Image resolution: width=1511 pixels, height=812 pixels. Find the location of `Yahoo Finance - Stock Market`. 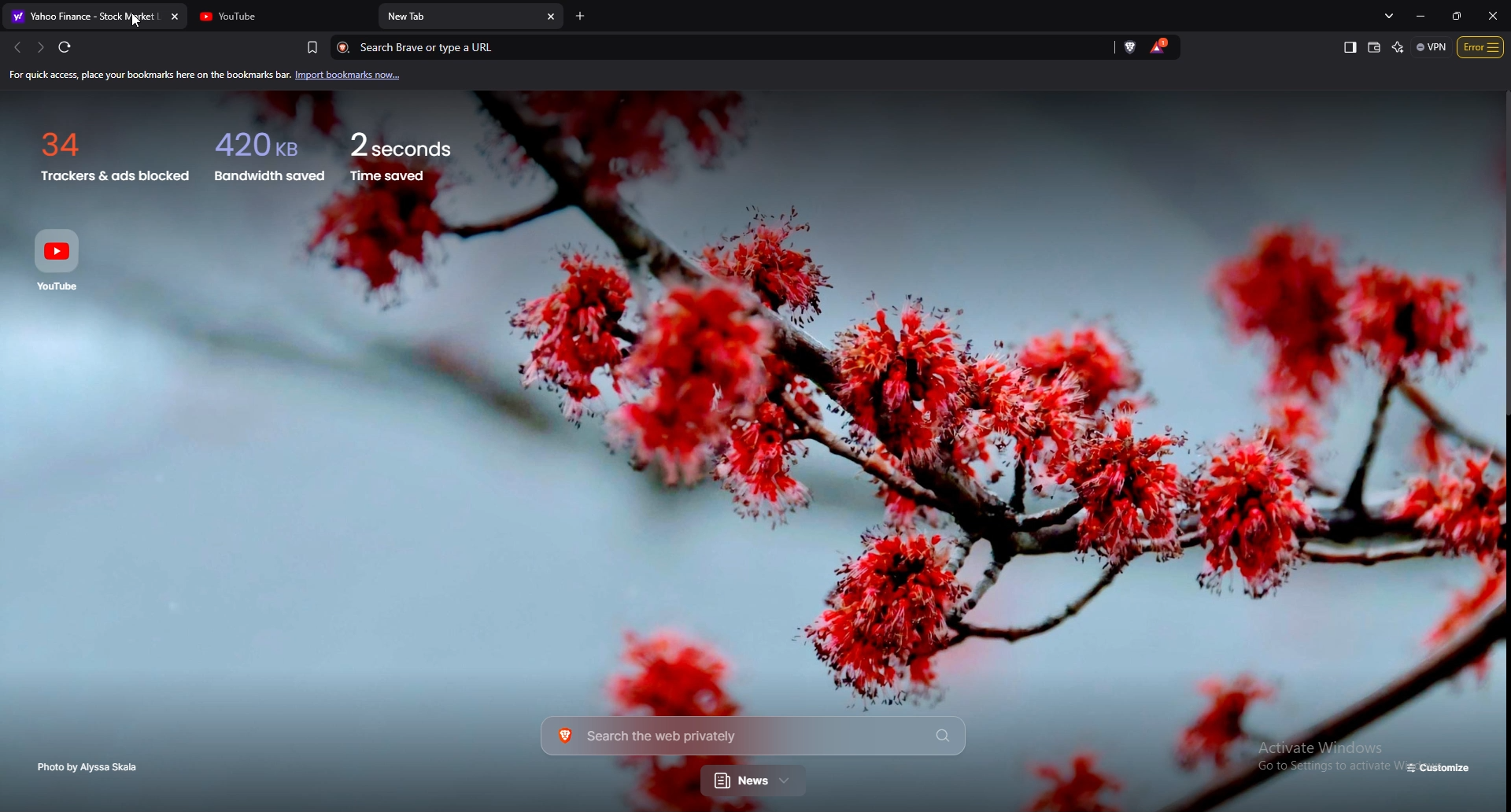

Yahoo Finance - Stock Market is located at coordinates (94, 16).